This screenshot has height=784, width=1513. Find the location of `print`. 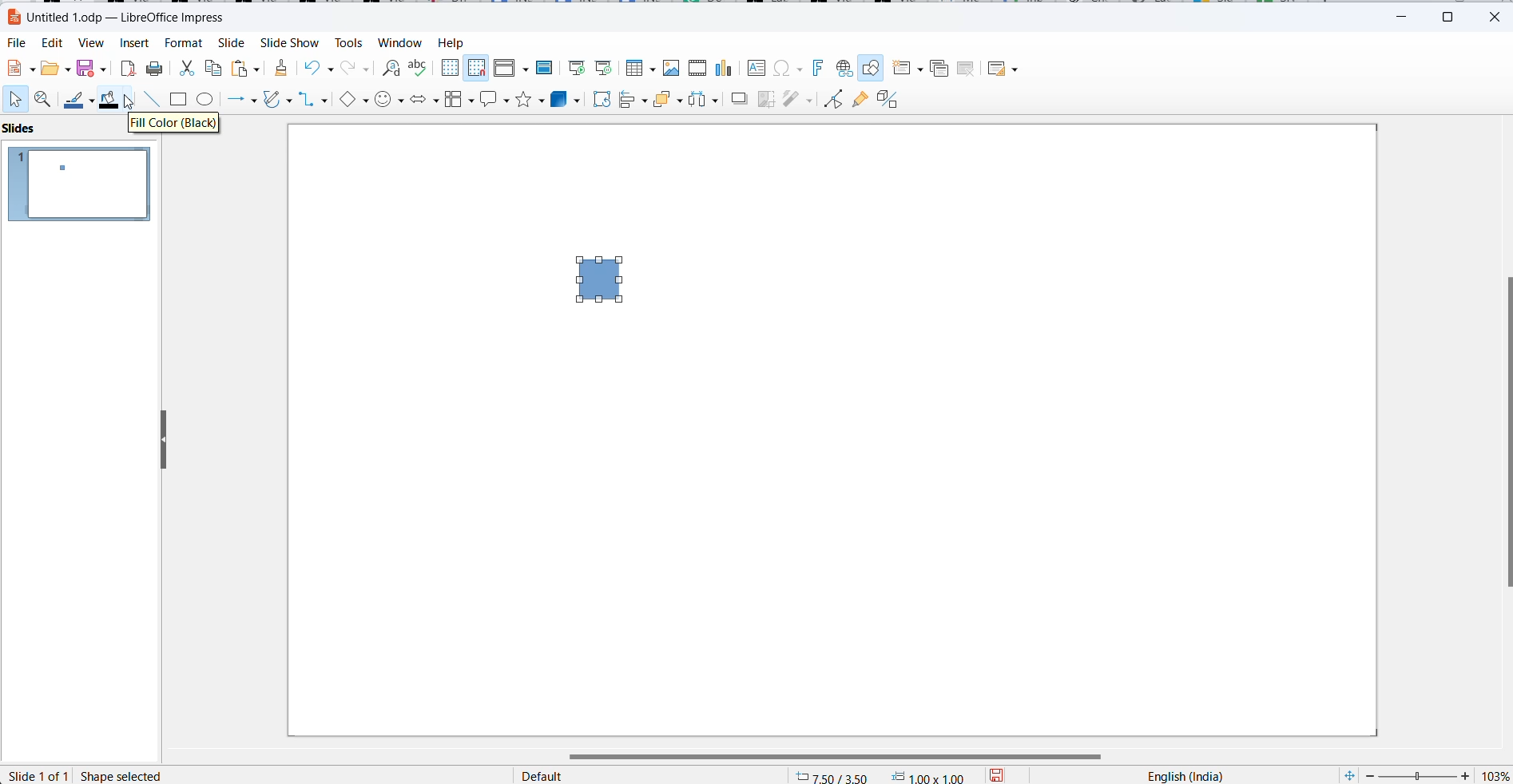

print is located at coordinates (156, 70).